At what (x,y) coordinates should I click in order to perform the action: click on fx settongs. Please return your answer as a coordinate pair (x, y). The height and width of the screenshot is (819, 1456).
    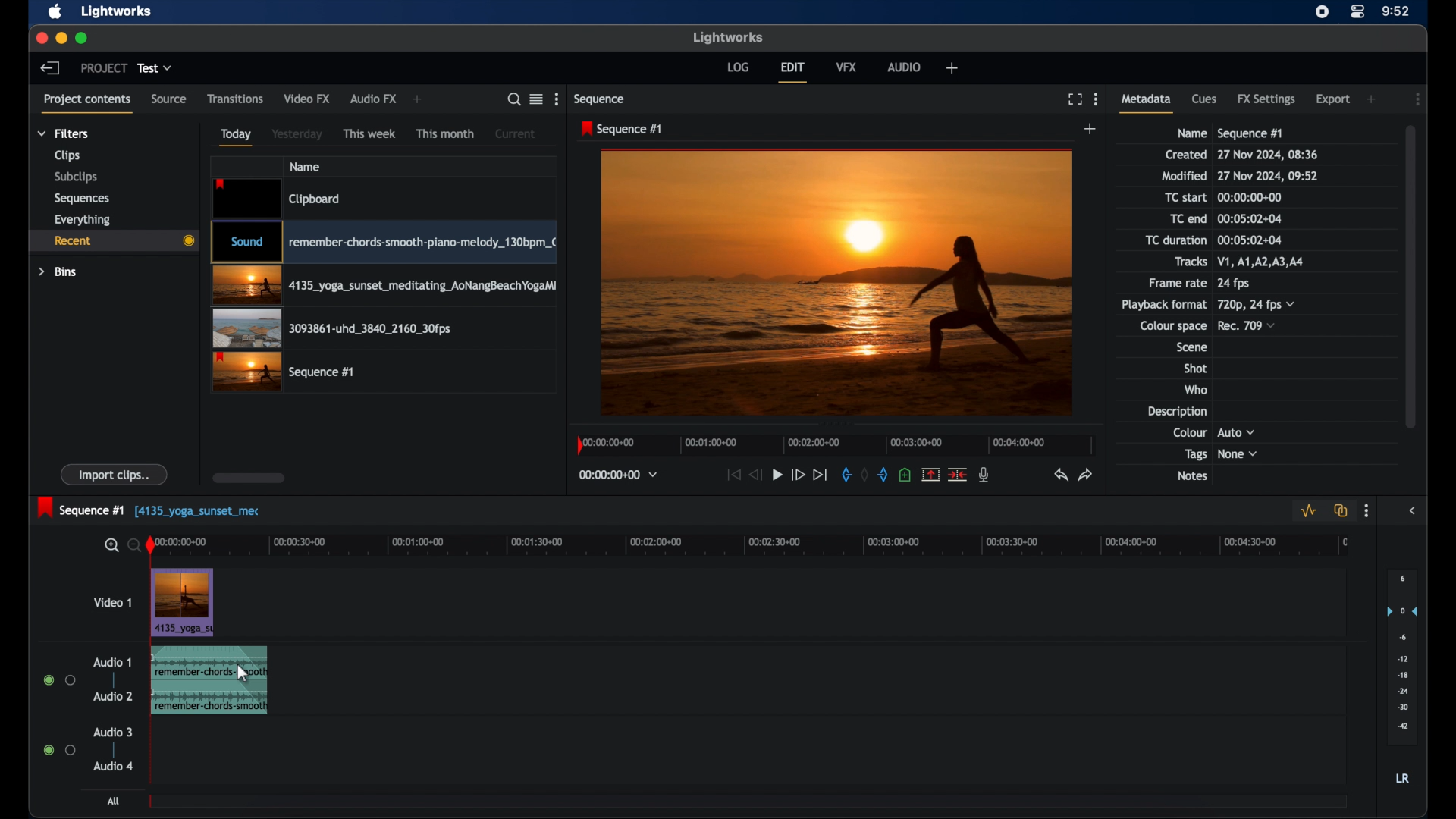
    Looking at the image, I should click on (1268, 99).